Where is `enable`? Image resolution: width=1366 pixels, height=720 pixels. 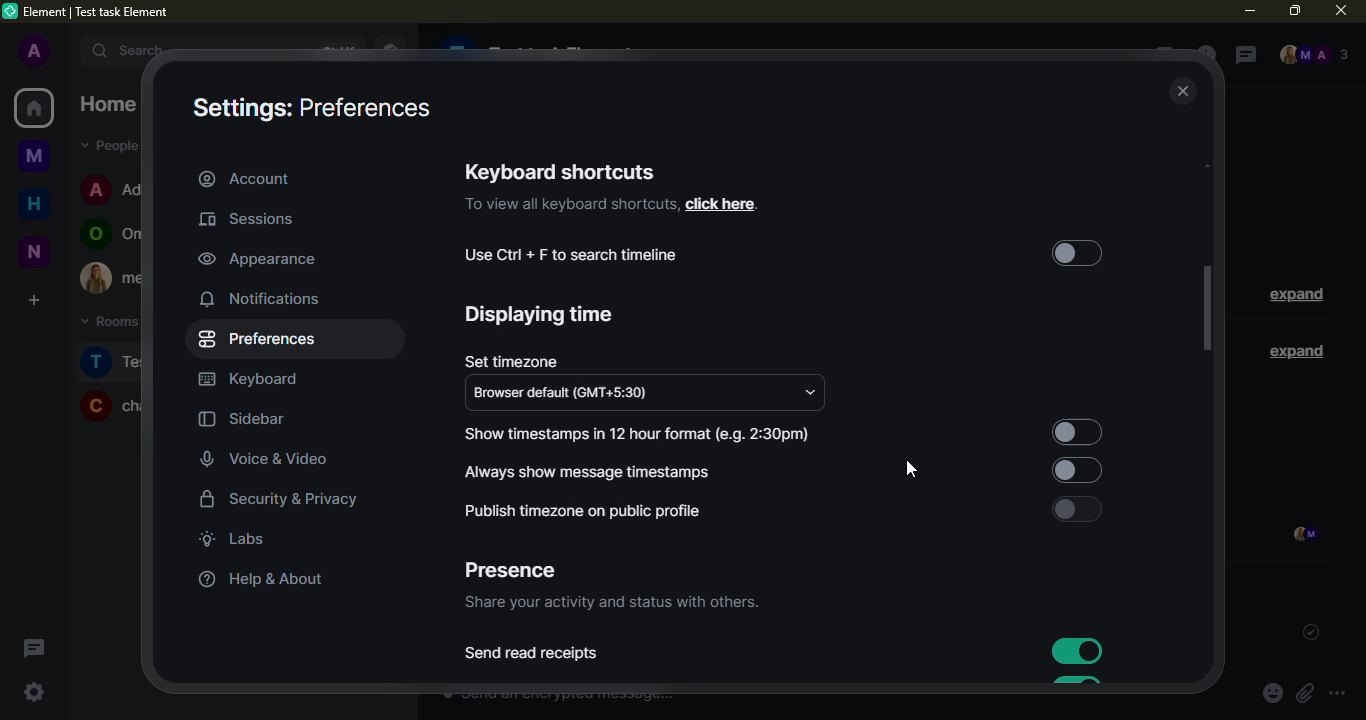
enable is located at coordinates (1073, 469).